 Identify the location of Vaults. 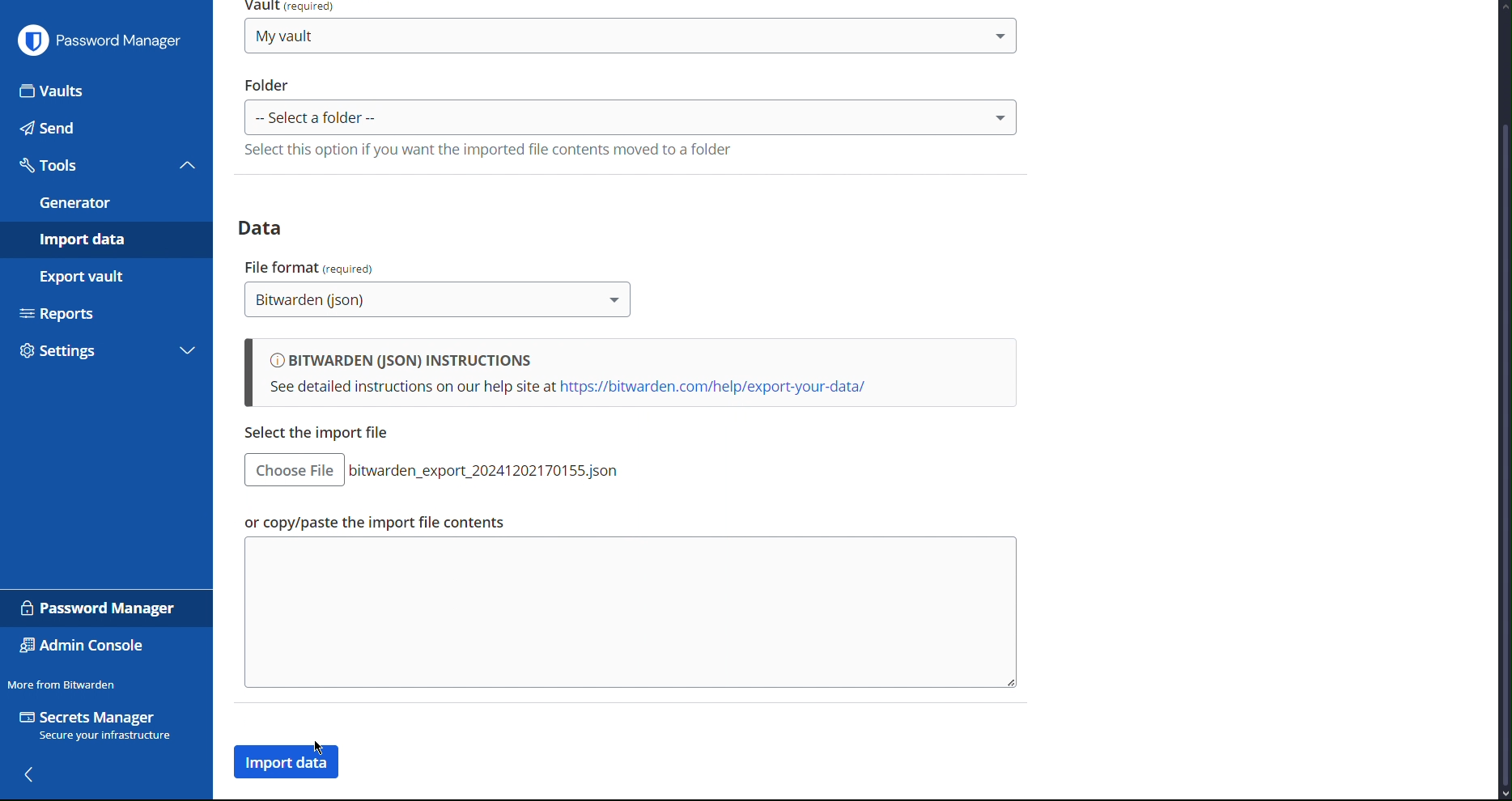
(107, 90).